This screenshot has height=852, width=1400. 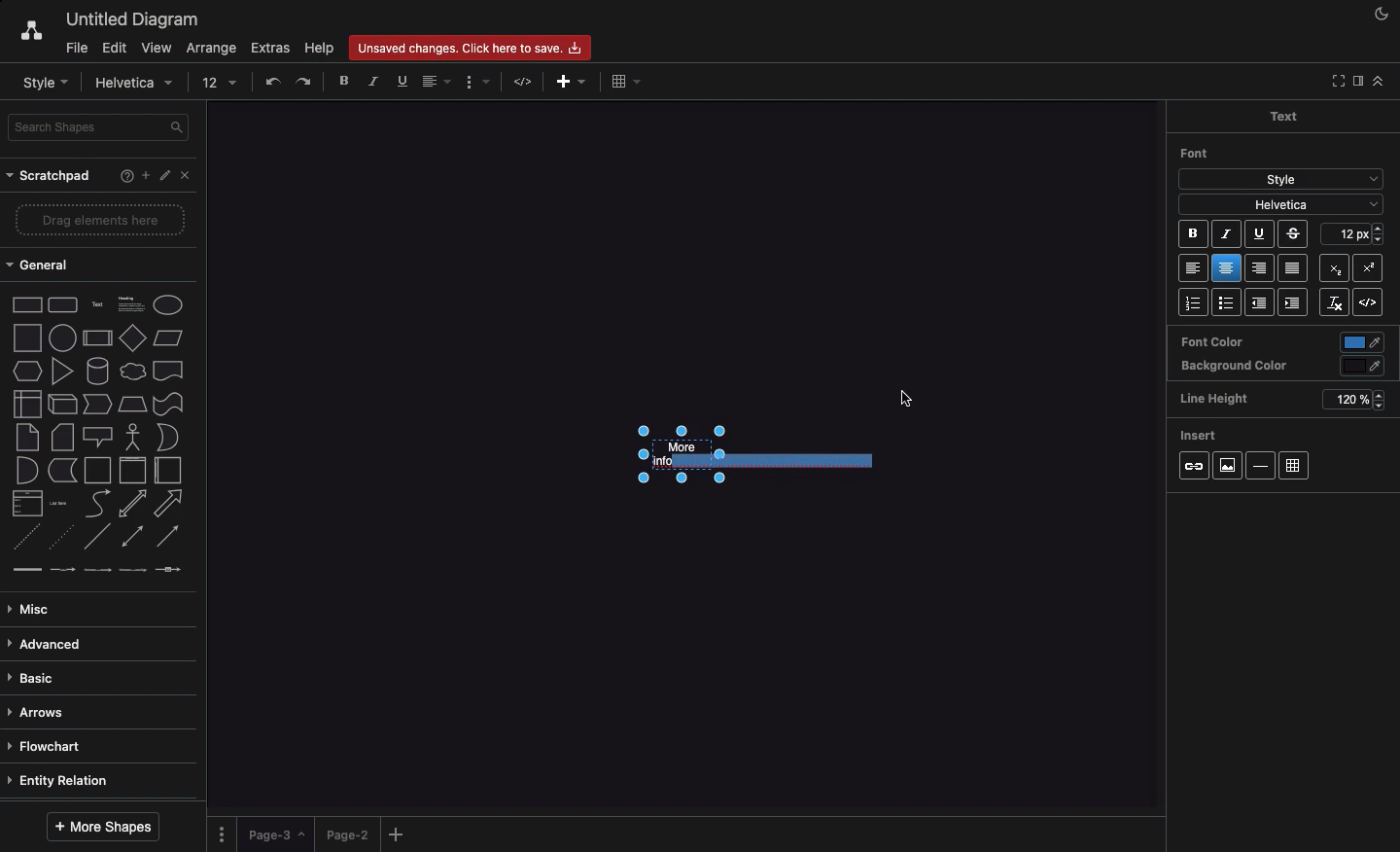 What do you see at coordinates (1263, 465) in the screenshot?
I see `Horizontal` at bounding box center [1263, 465].